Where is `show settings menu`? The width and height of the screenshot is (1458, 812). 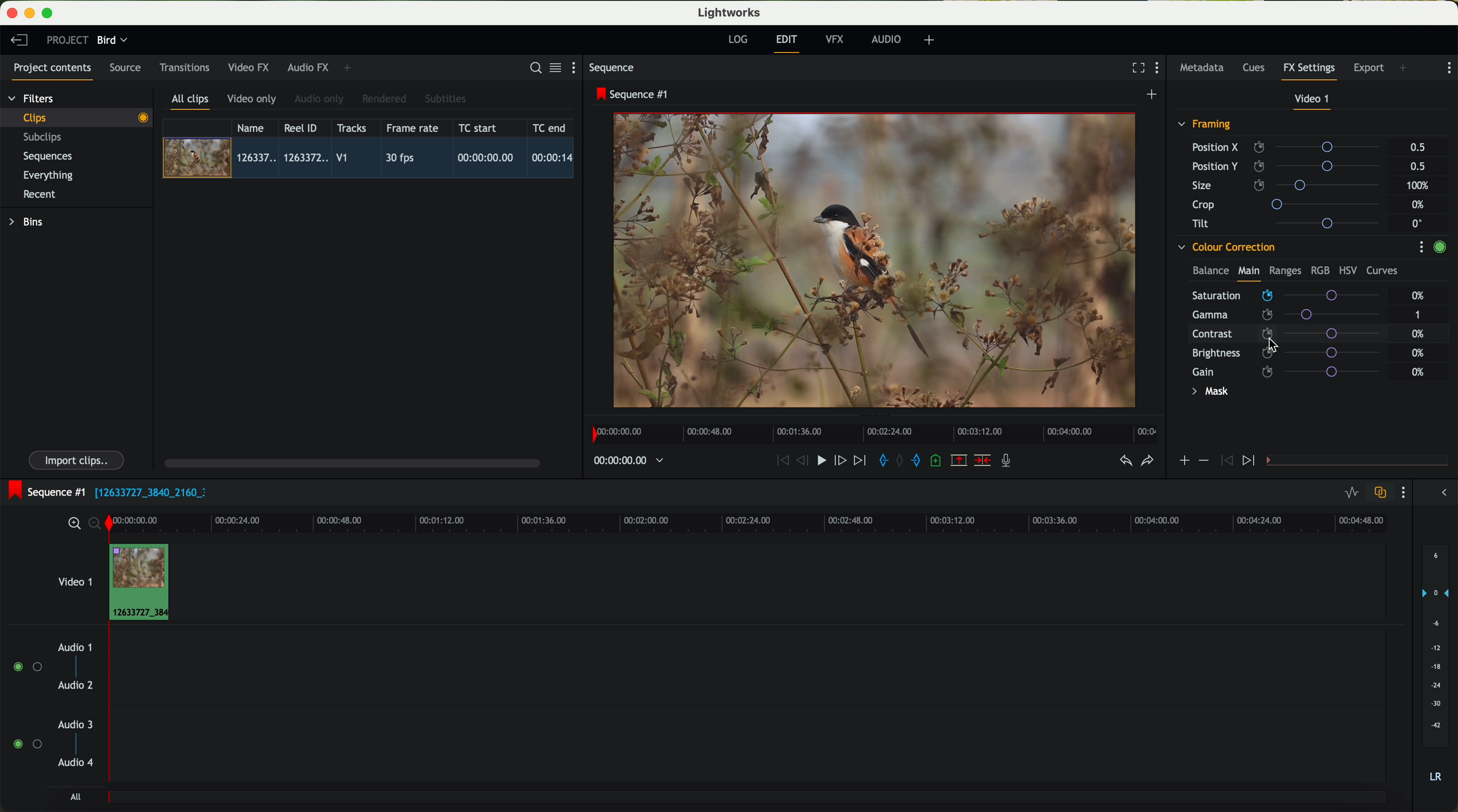
show settings menu is located at coordinates (1402, 492).